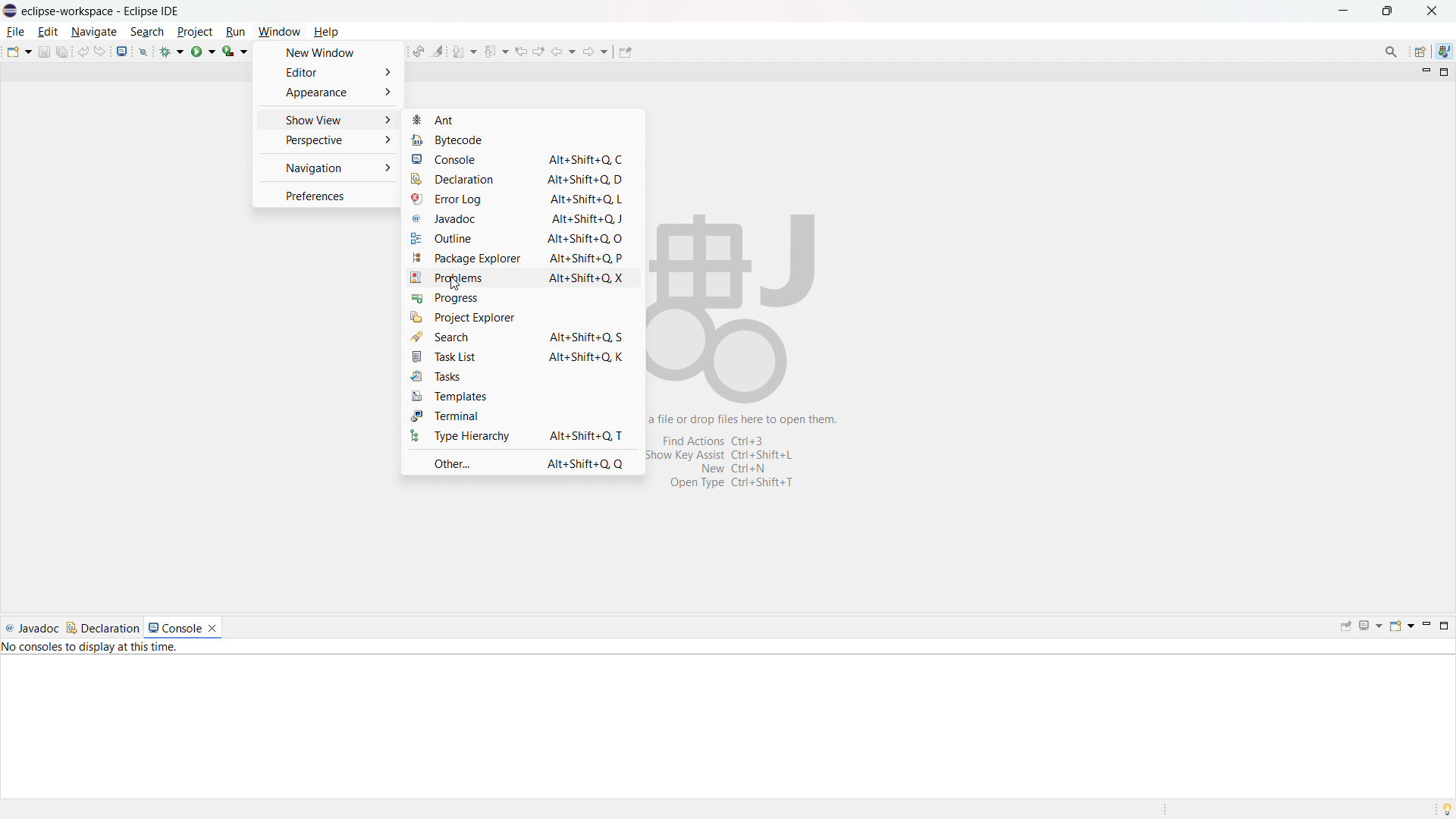  I want to click on undo, so click(82, 52).